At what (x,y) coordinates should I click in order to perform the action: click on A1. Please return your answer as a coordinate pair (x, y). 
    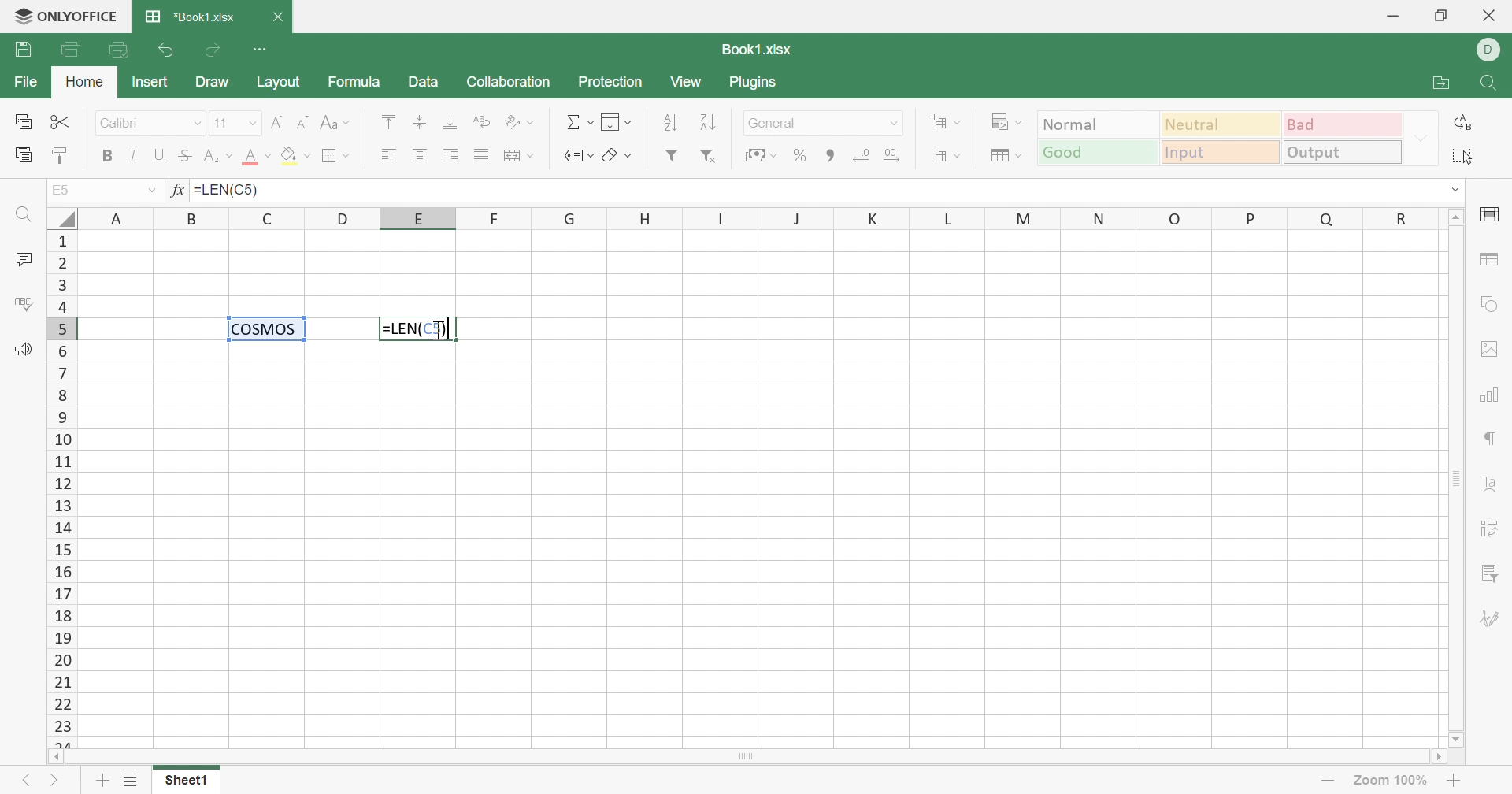
    Looking at the image, I should click on (61, 189).